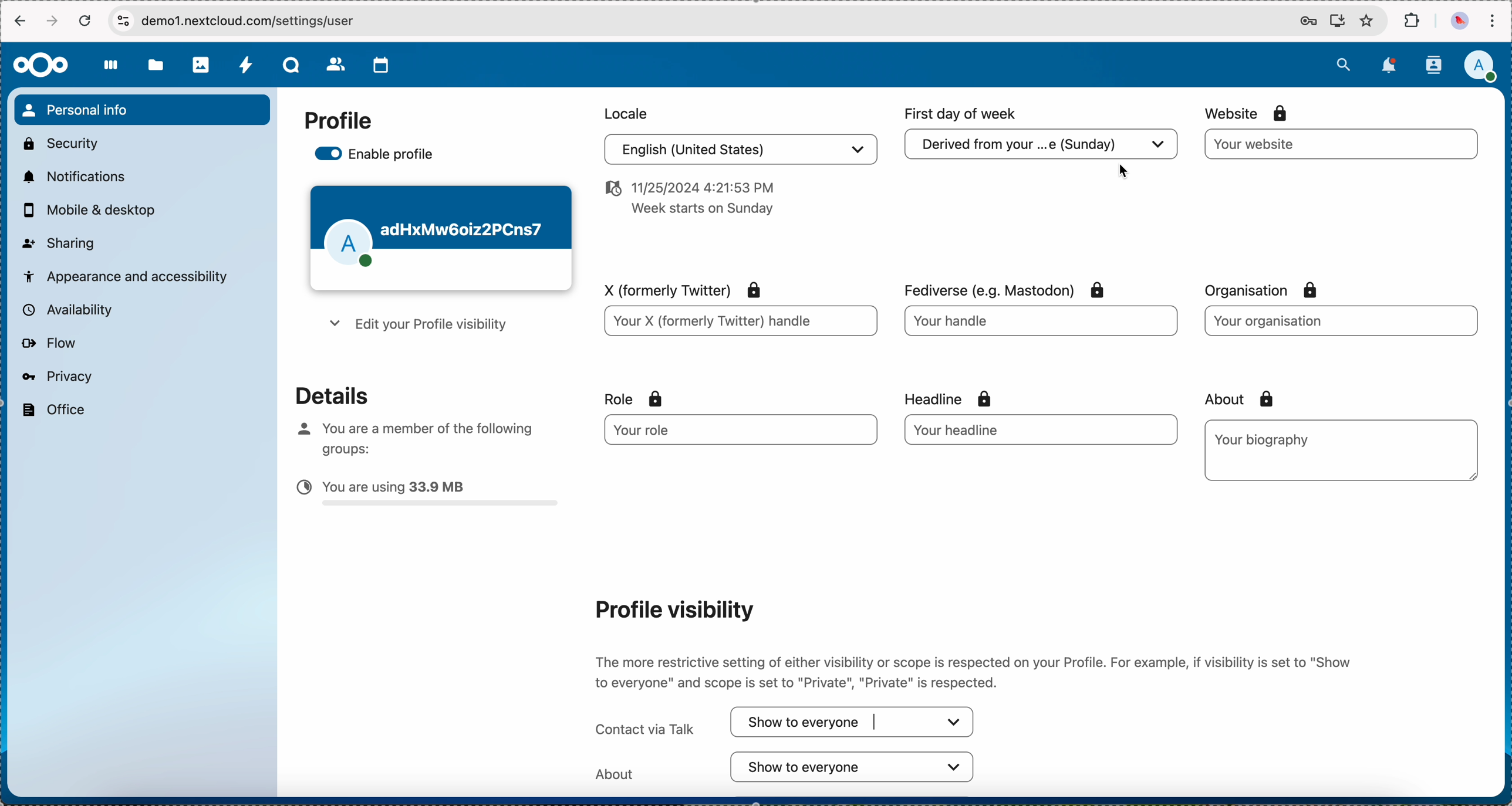 This screenshot has width=1512, height=806. Describe the element at coordinates (112, 72) in the screenshot. I see `dashboard` at that location.